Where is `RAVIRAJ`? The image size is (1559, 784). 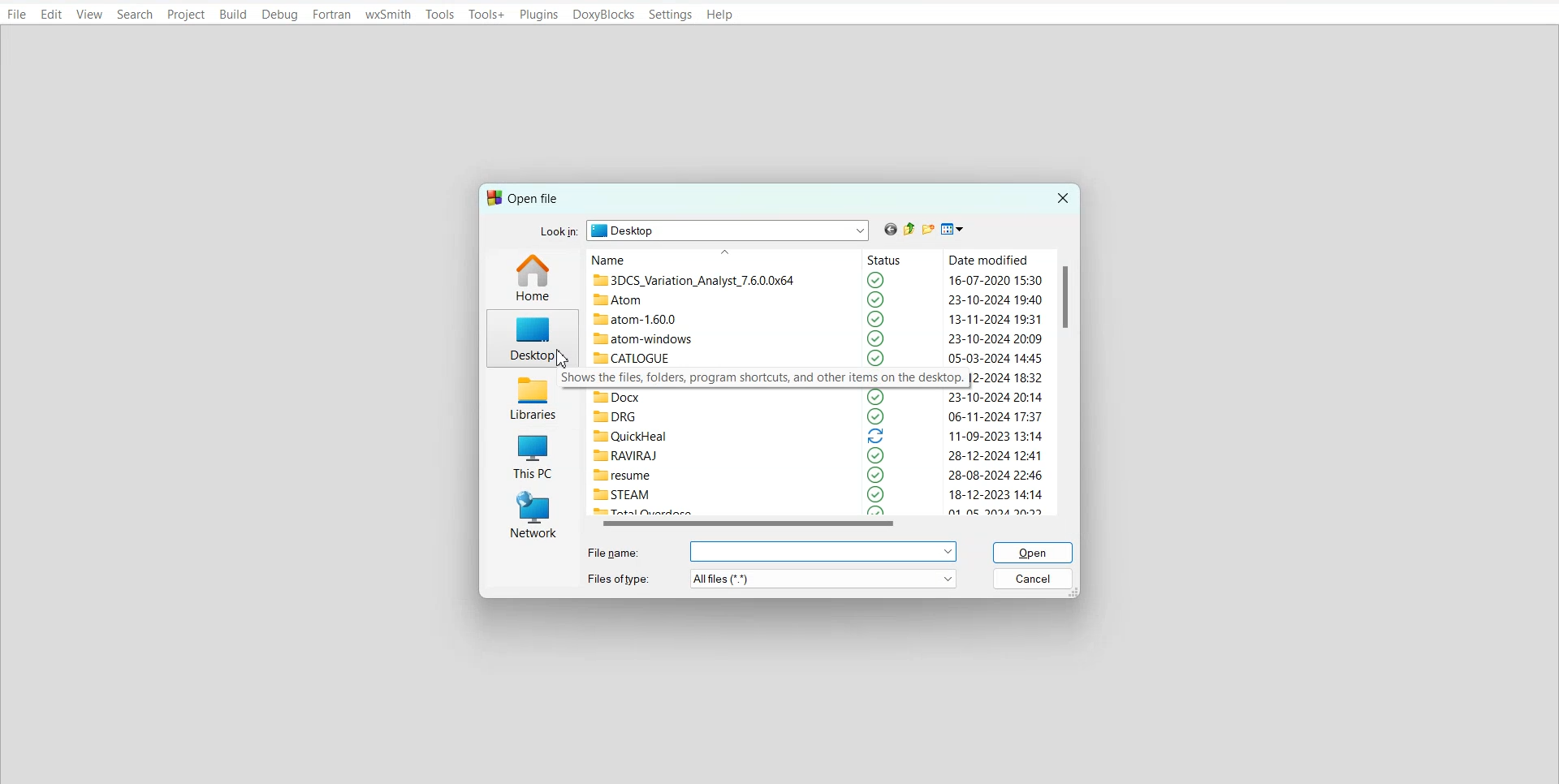
RAVIRAJ is located at coordinates (628, 457).